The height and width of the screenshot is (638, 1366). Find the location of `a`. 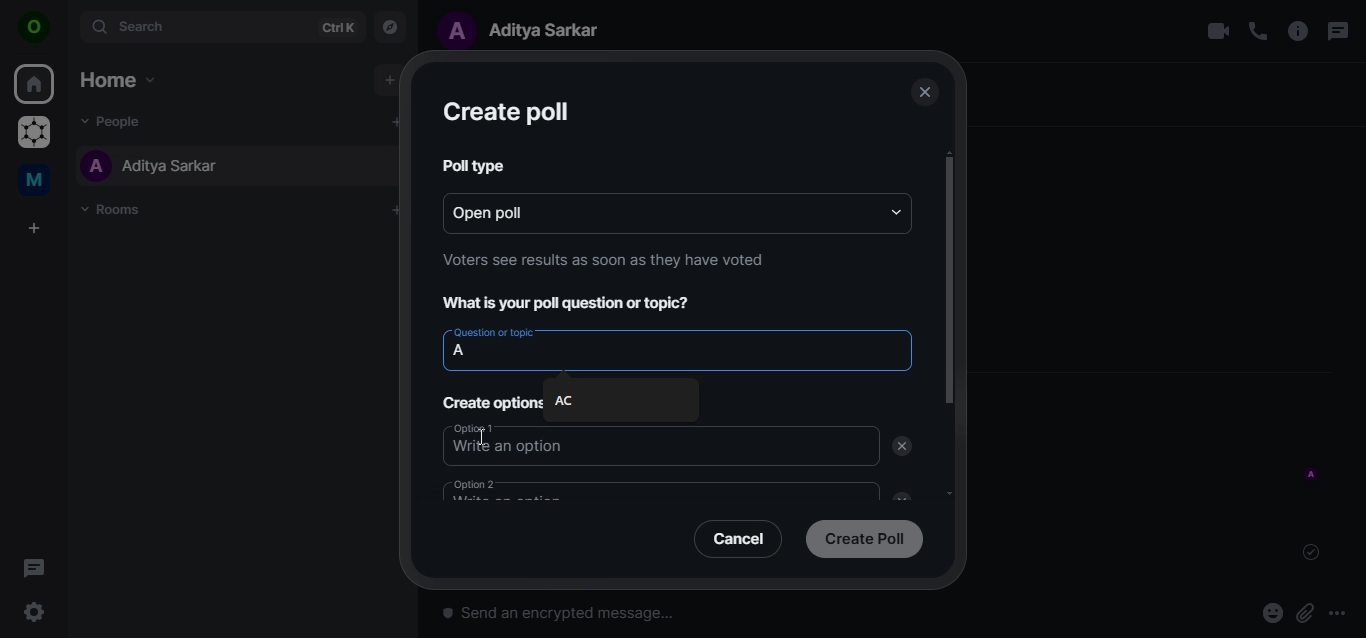

a is located at coordinates (466, 353).